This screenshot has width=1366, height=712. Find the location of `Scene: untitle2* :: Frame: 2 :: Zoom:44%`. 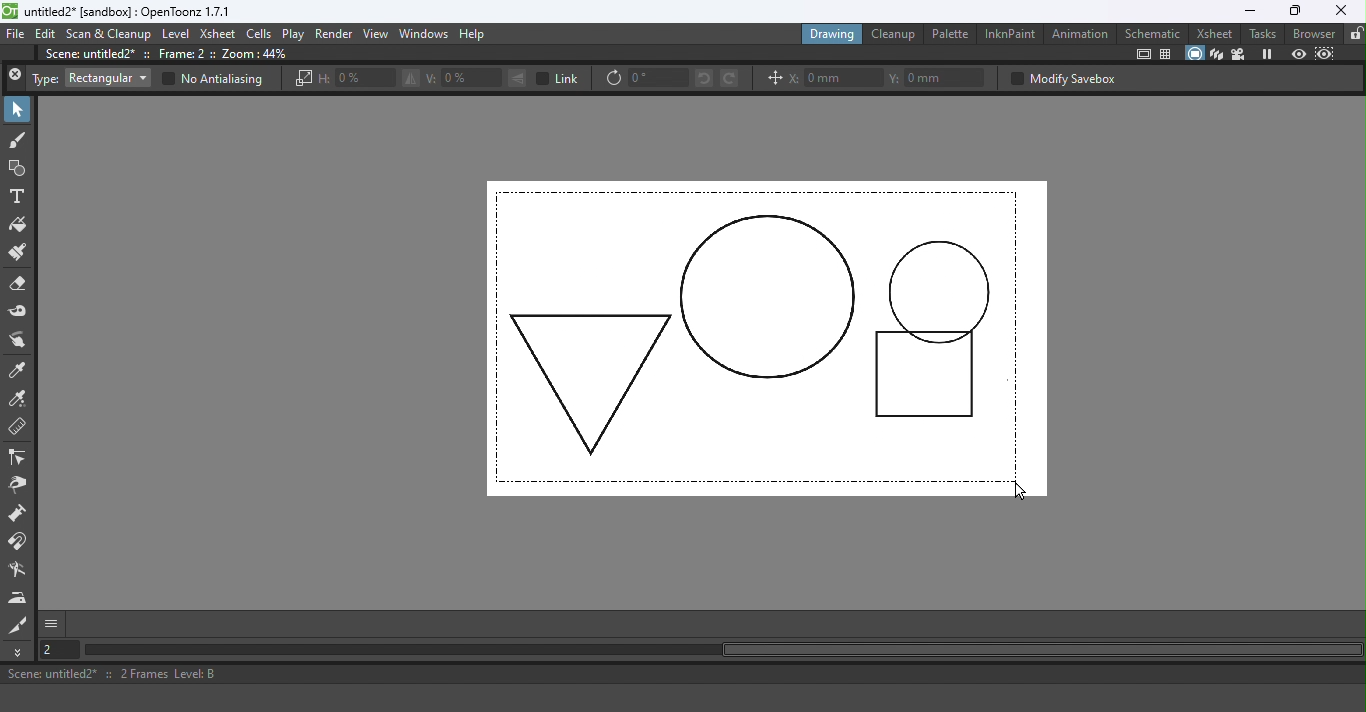

Scene: untitle2* :: Frame: 2 :: Zoom:44% is located at coordinates (177, 55).